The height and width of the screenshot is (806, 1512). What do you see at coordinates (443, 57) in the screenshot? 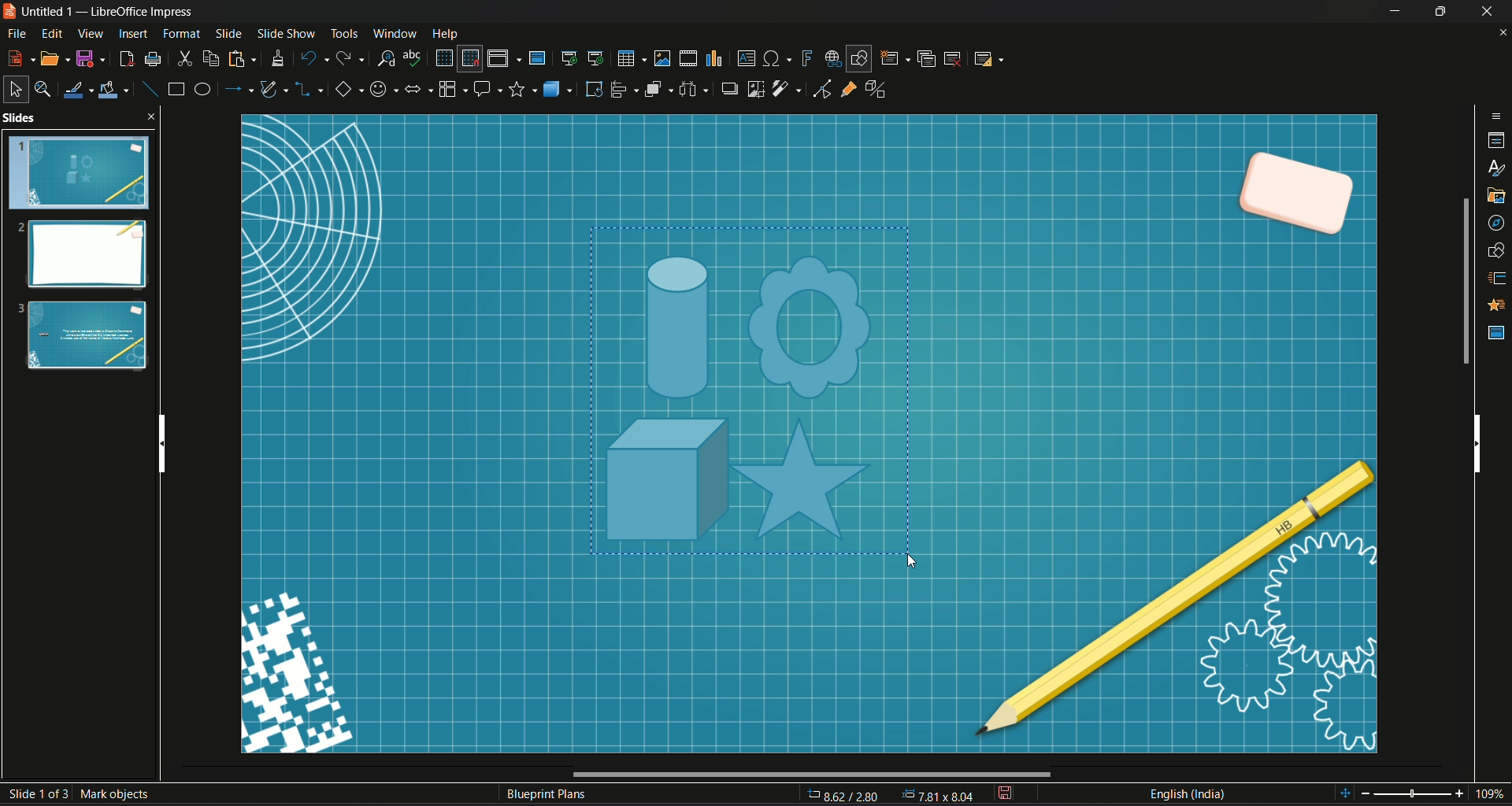
I see `display grid` at bounding box center [443, 57].